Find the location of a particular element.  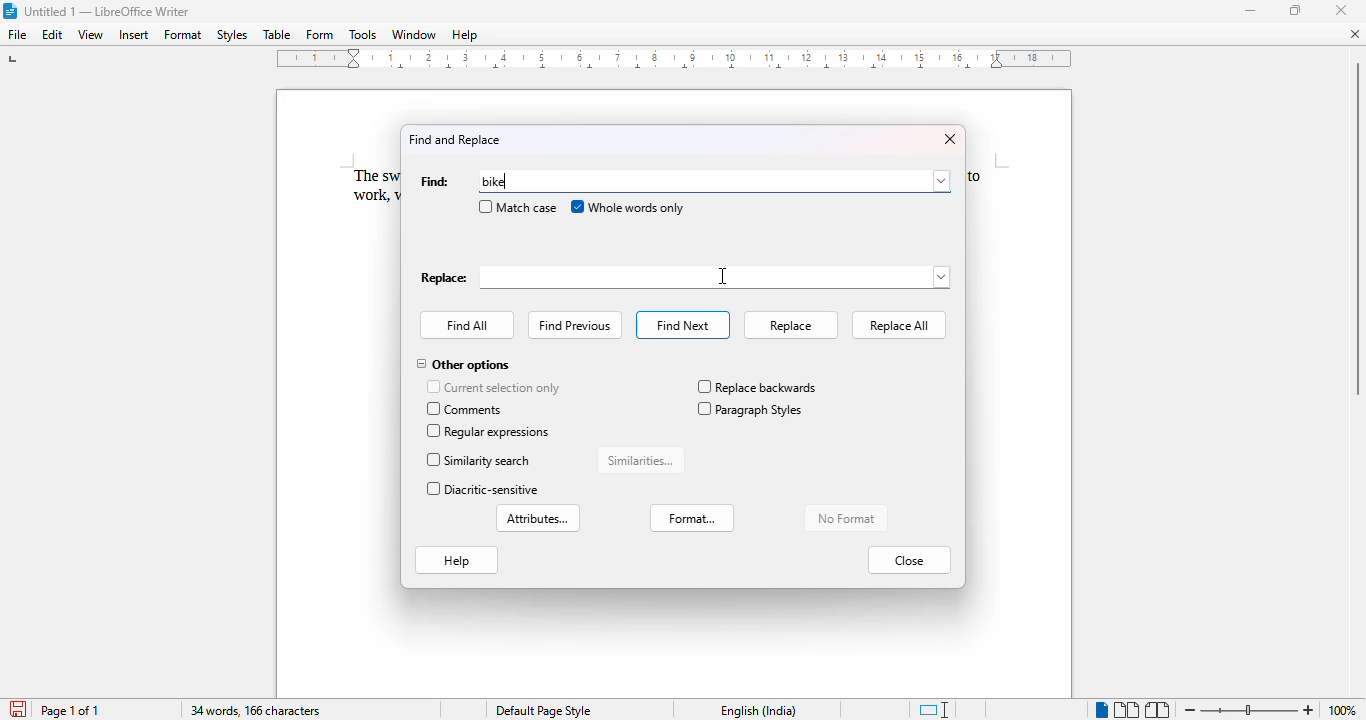

close is located at coordinates (949, 139).